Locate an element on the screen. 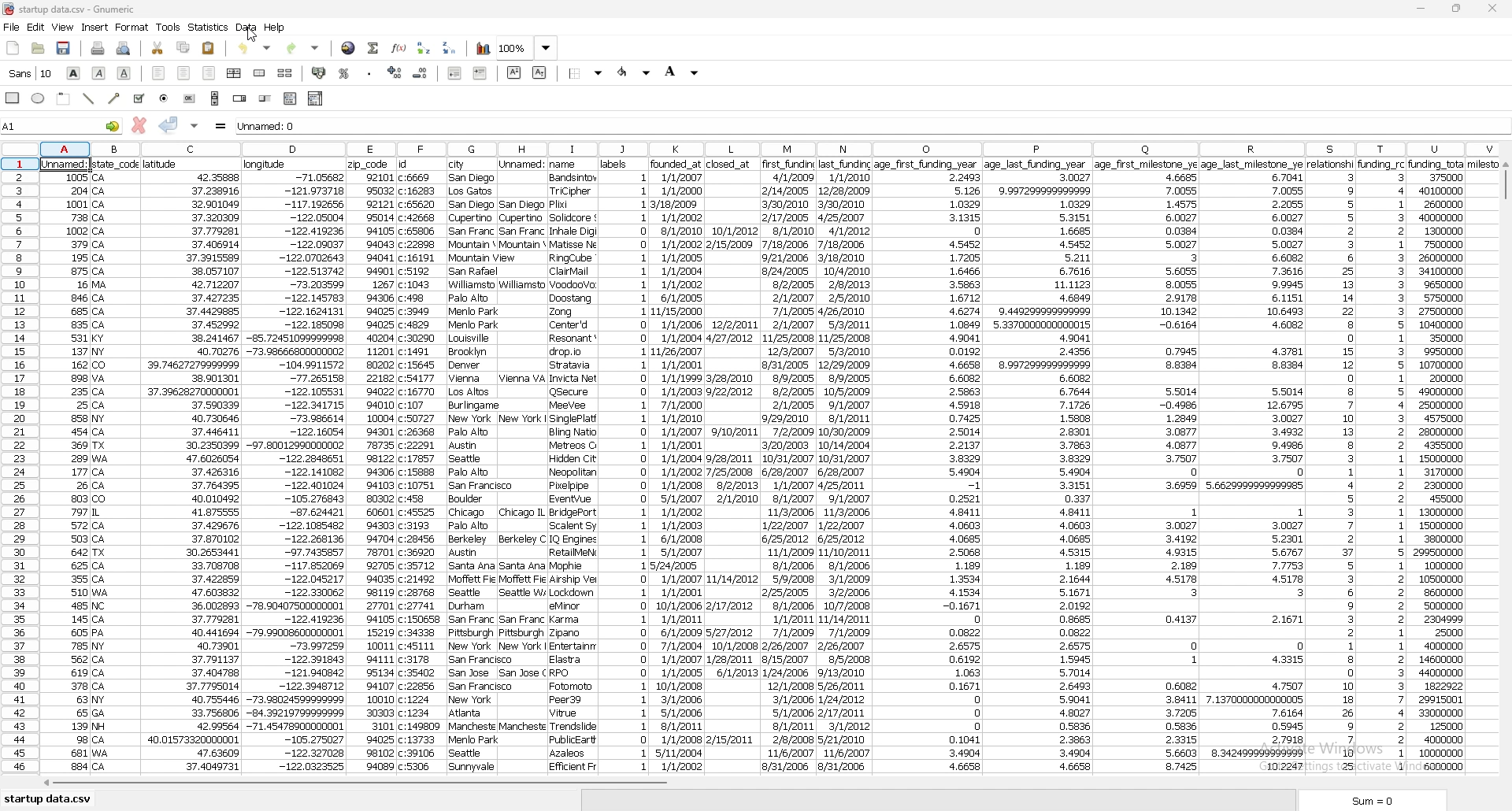 The image size is (1512, 811). undo is located at coordinates (258, 46).